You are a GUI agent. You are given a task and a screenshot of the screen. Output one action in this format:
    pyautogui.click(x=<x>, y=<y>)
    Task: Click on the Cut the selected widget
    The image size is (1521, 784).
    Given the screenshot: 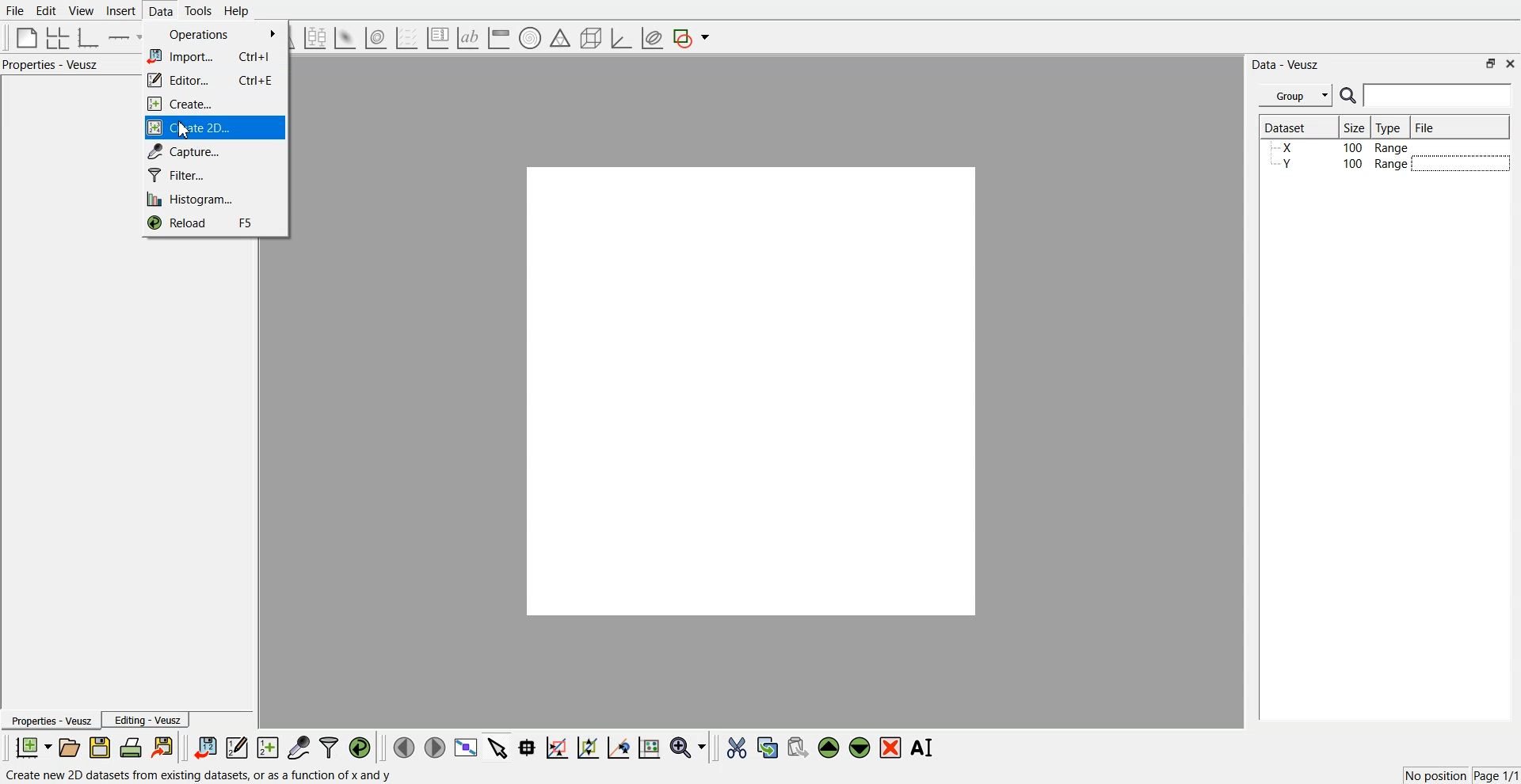 What is the action you would take?
    pyautogui.click(x=737, y=748)
    